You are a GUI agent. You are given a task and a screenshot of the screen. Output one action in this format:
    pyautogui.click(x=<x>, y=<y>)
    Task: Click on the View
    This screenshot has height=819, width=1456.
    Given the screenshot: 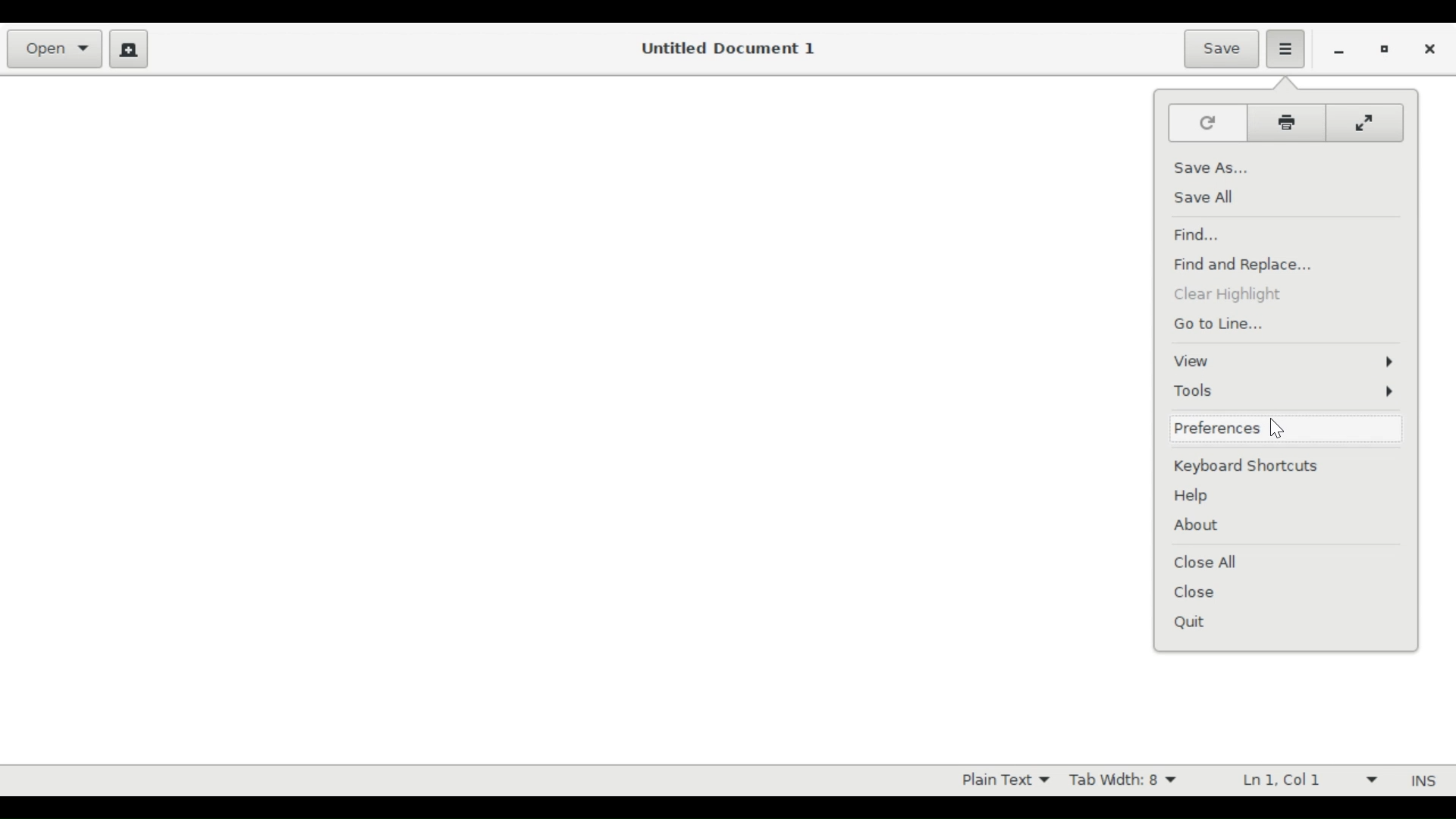 What is the action you would take?
    pyautogui.click(x=1285, y=360)
    